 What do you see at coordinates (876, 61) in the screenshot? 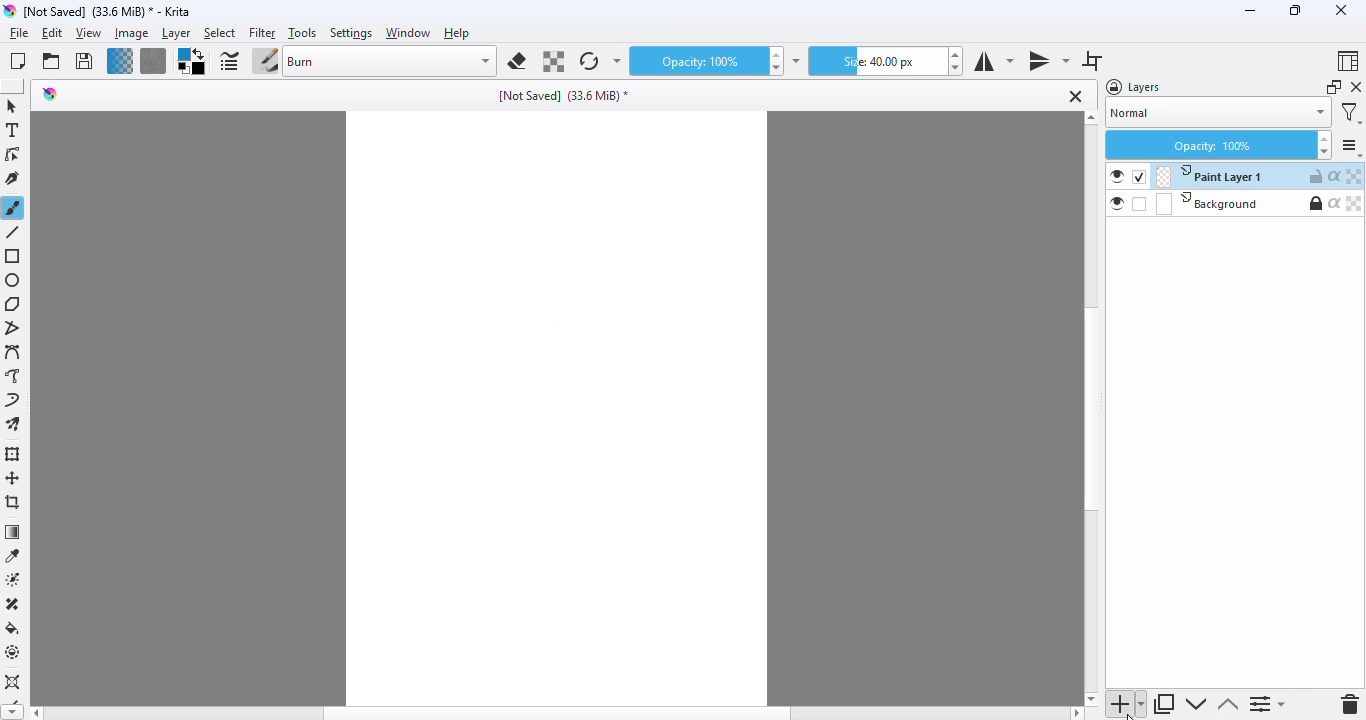
I see `size` at bounding box center [876, 61].